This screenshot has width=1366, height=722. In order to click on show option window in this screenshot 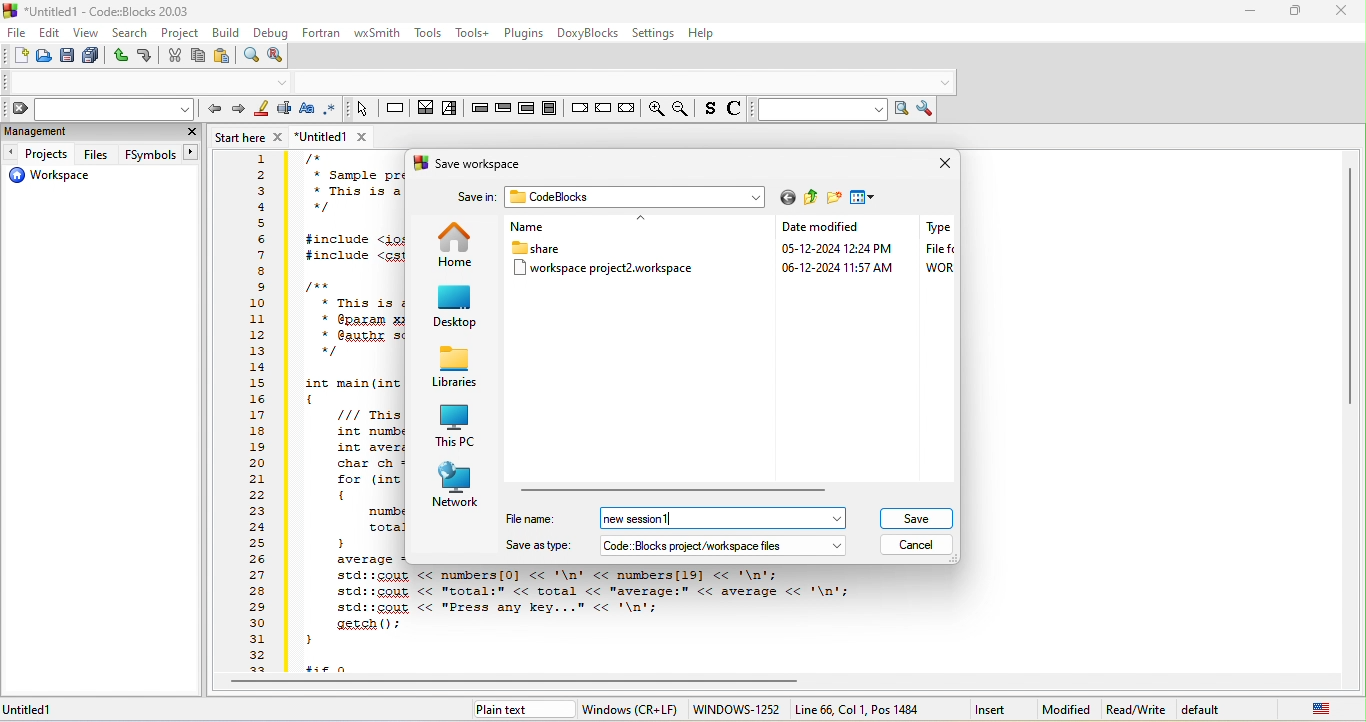, I will do `click(928, 109)`.